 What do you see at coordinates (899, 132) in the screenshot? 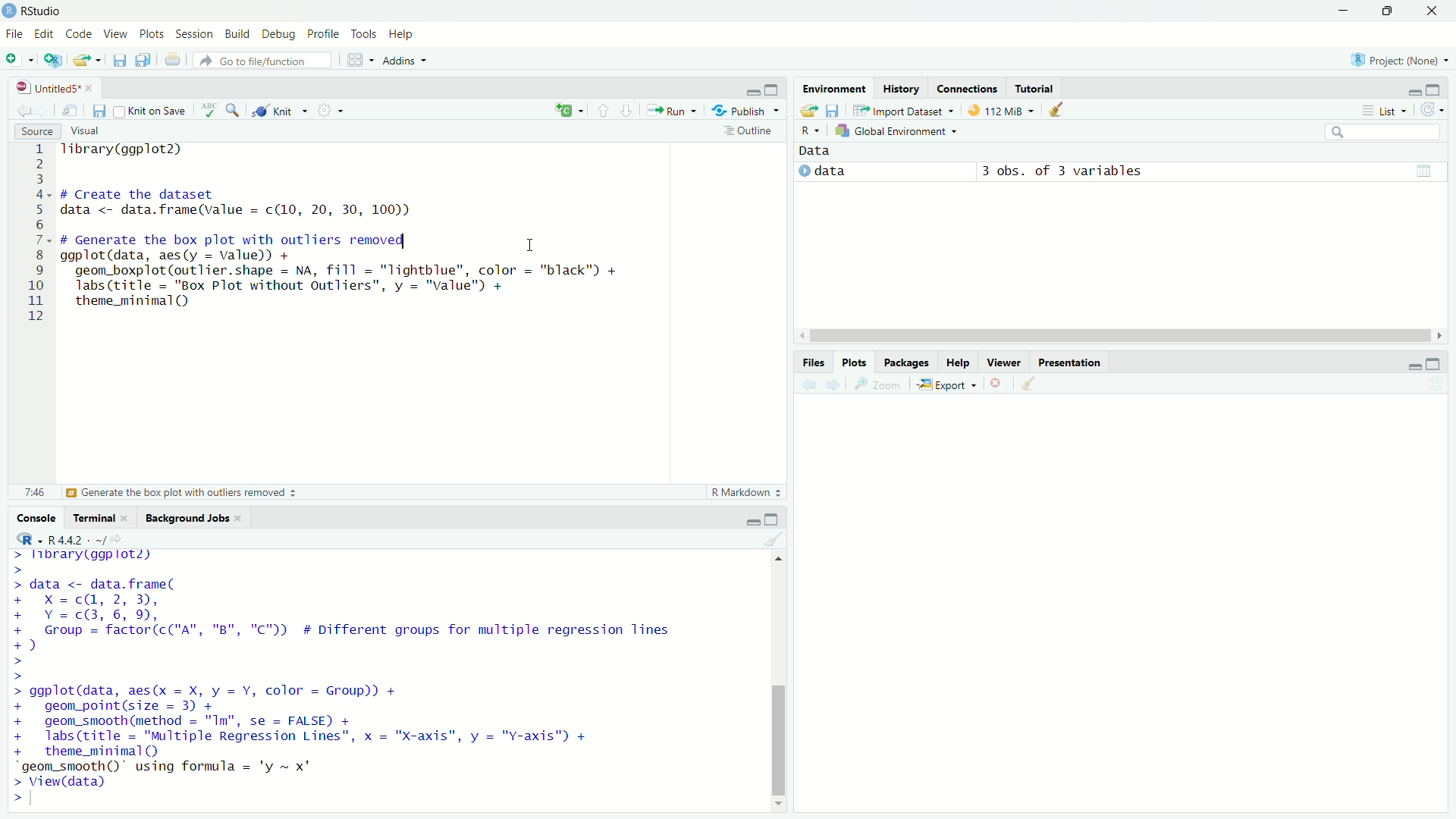
I see `Global Environment +` at bounding box center [899, 132].